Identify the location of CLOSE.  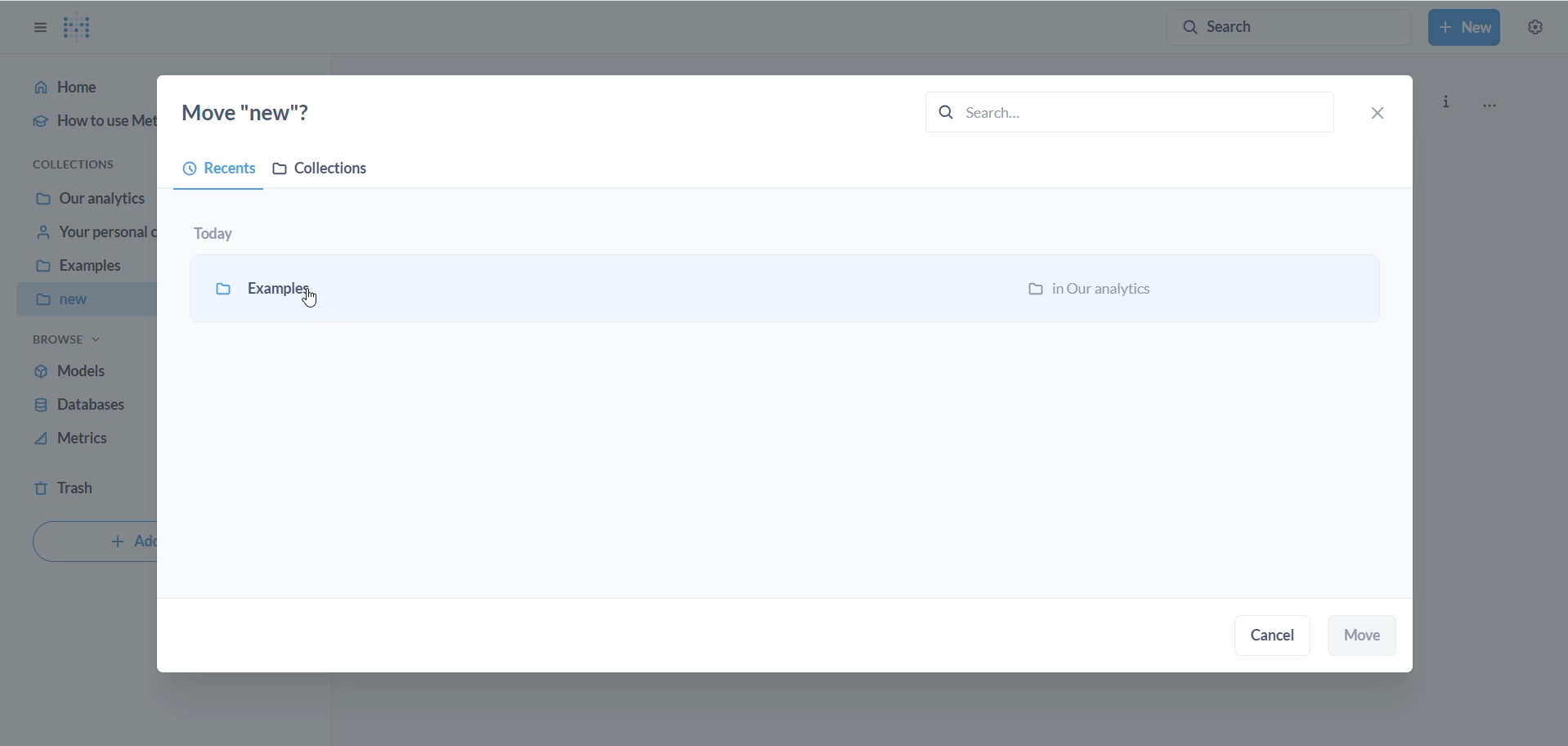
(1382, 112).